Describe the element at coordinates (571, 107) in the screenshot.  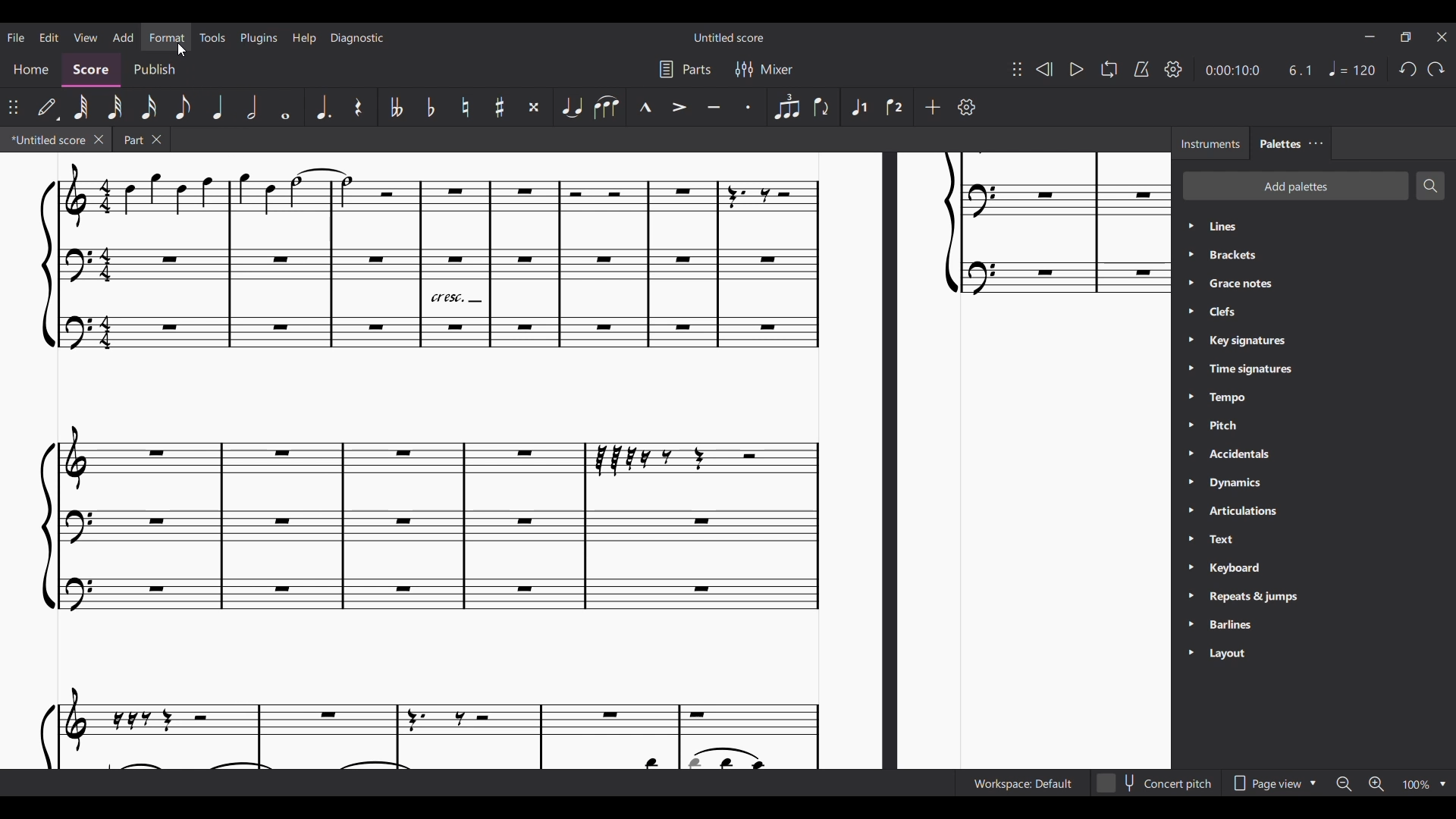
I see `Tie` at that location.